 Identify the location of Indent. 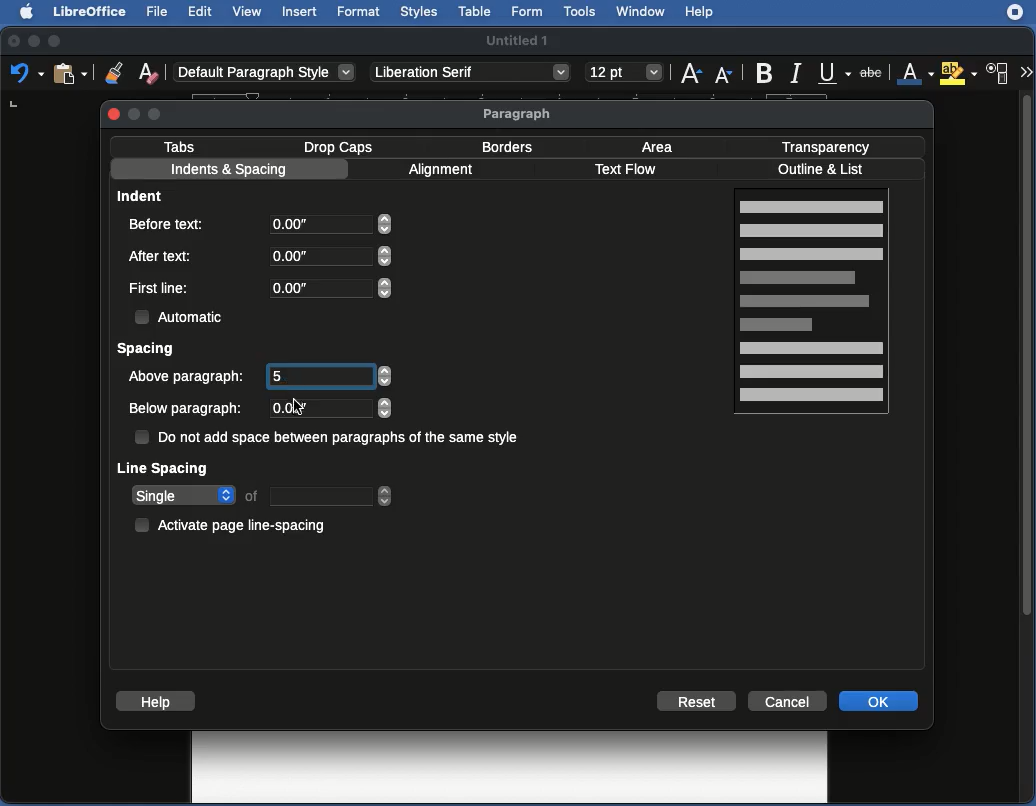
(143, 195).